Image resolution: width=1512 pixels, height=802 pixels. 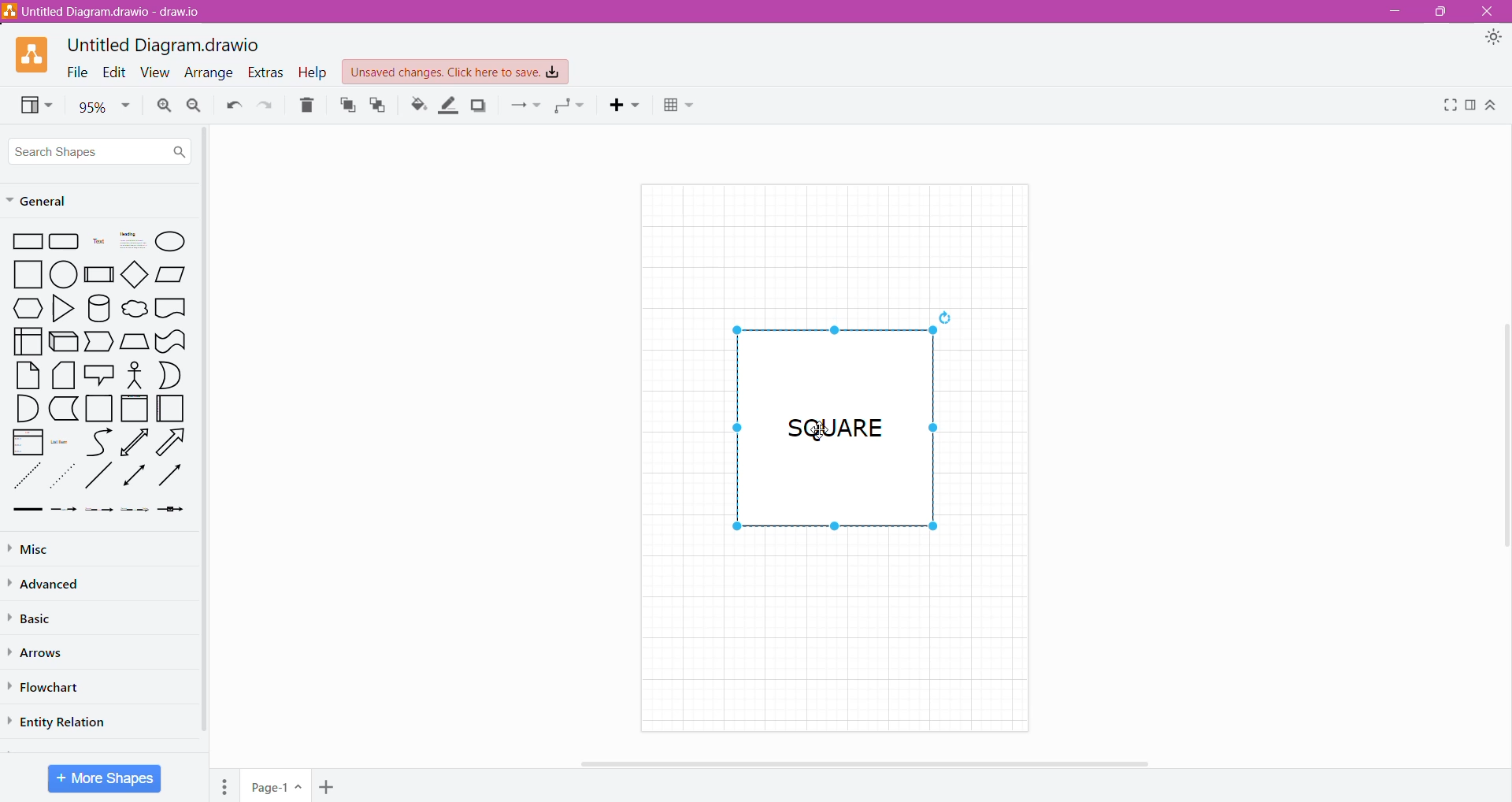 I want to click on diamond, so click(x=136, y=275).